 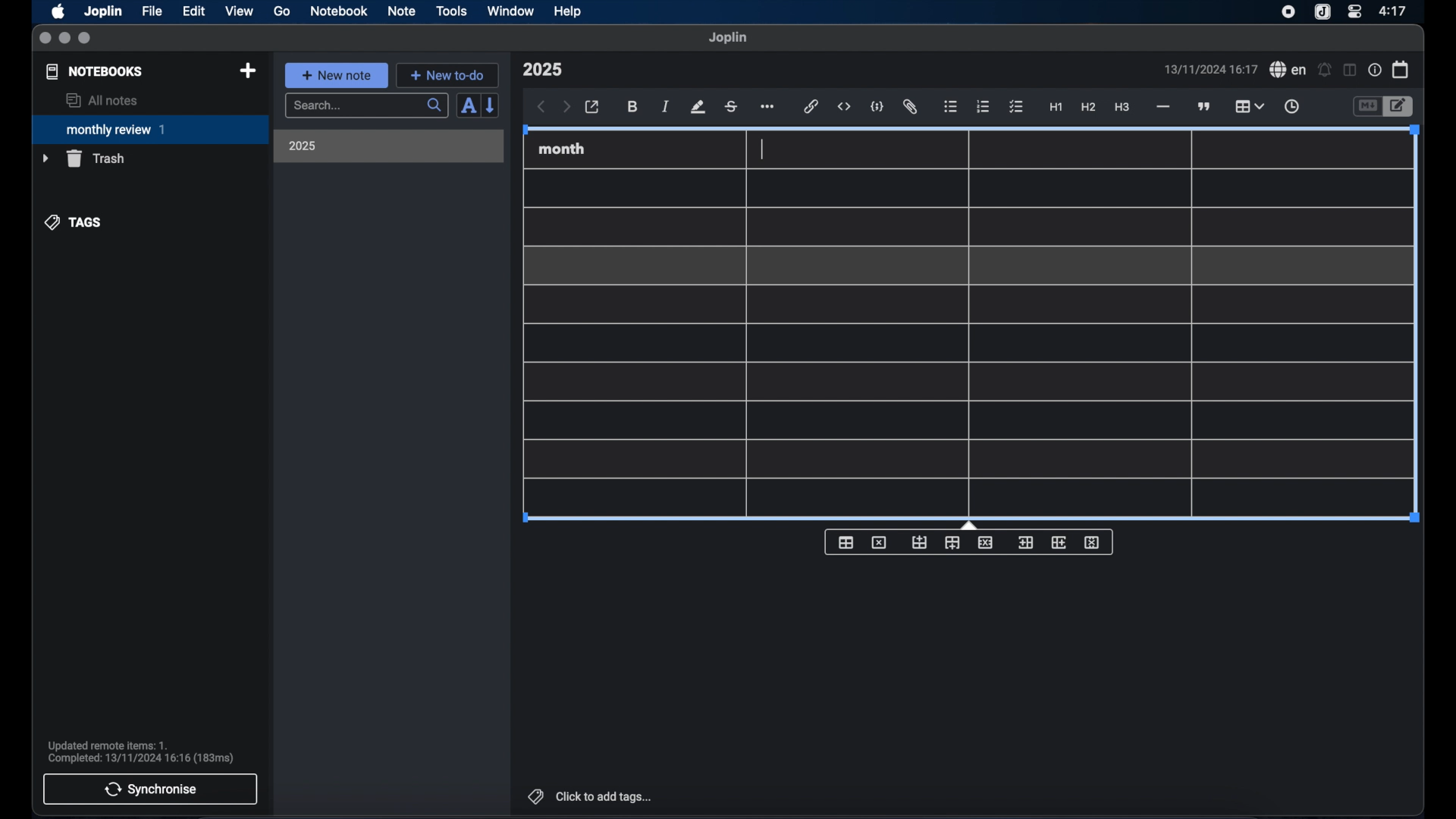 What do you see at coordinates (1205, 107) in the screenshot?
I see `block quotes` at bounding box center [1205, 107].